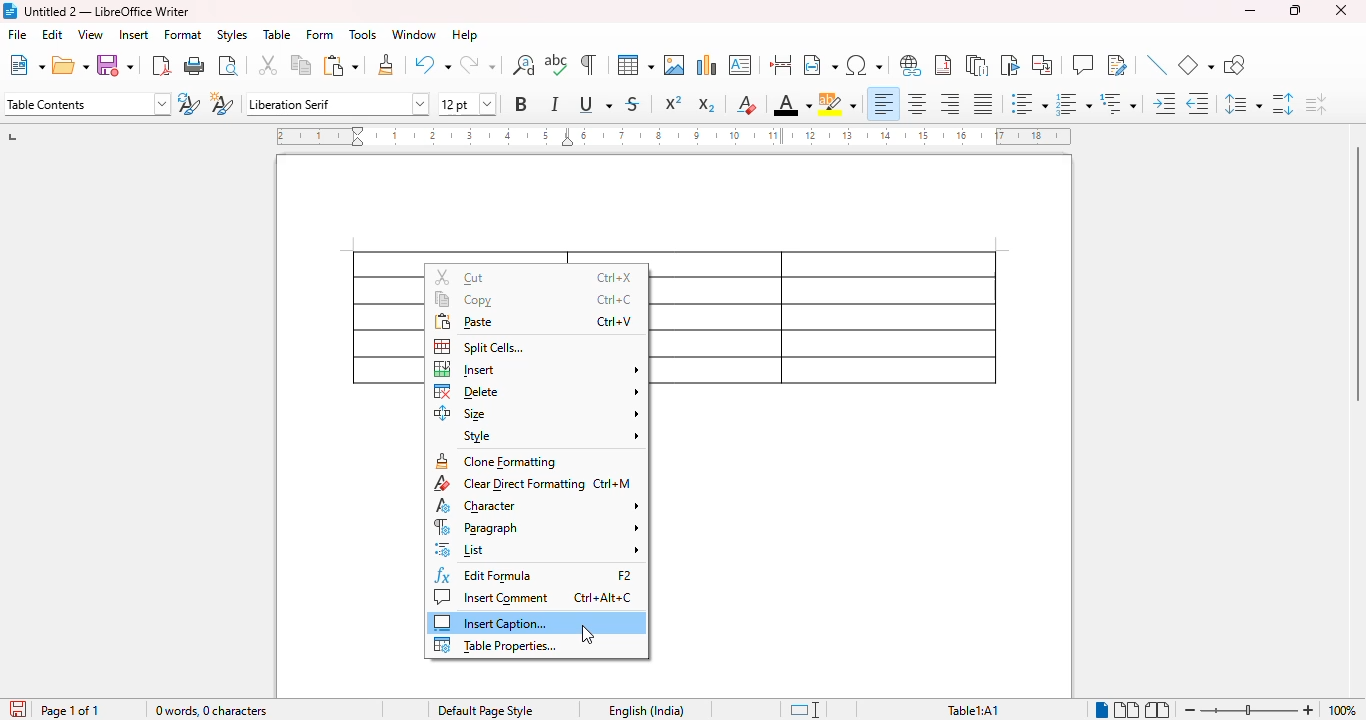  Describe the element at coordinates (1195, 65) in the screenshot. I see `basic shapes` at that location.